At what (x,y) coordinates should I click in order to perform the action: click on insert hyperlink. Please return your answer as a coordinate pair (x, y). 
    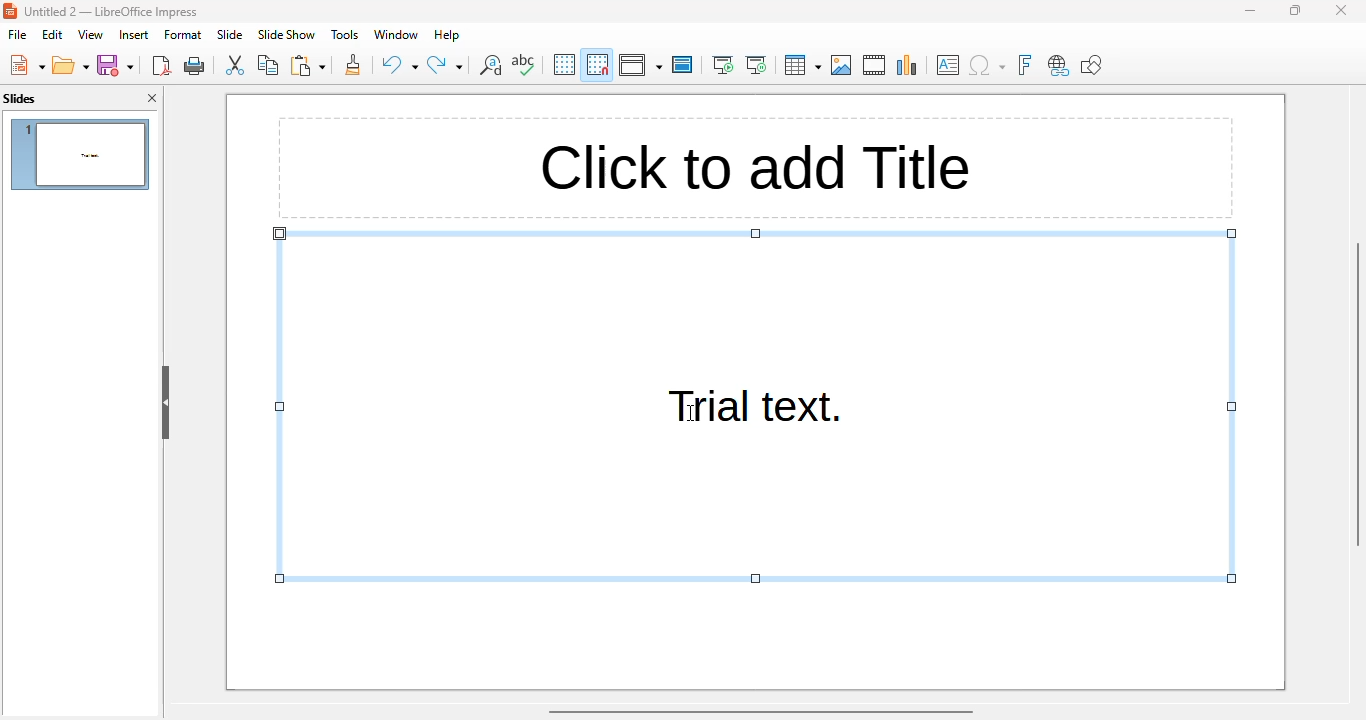
    Looking at the image, I should click on (1058, 66).